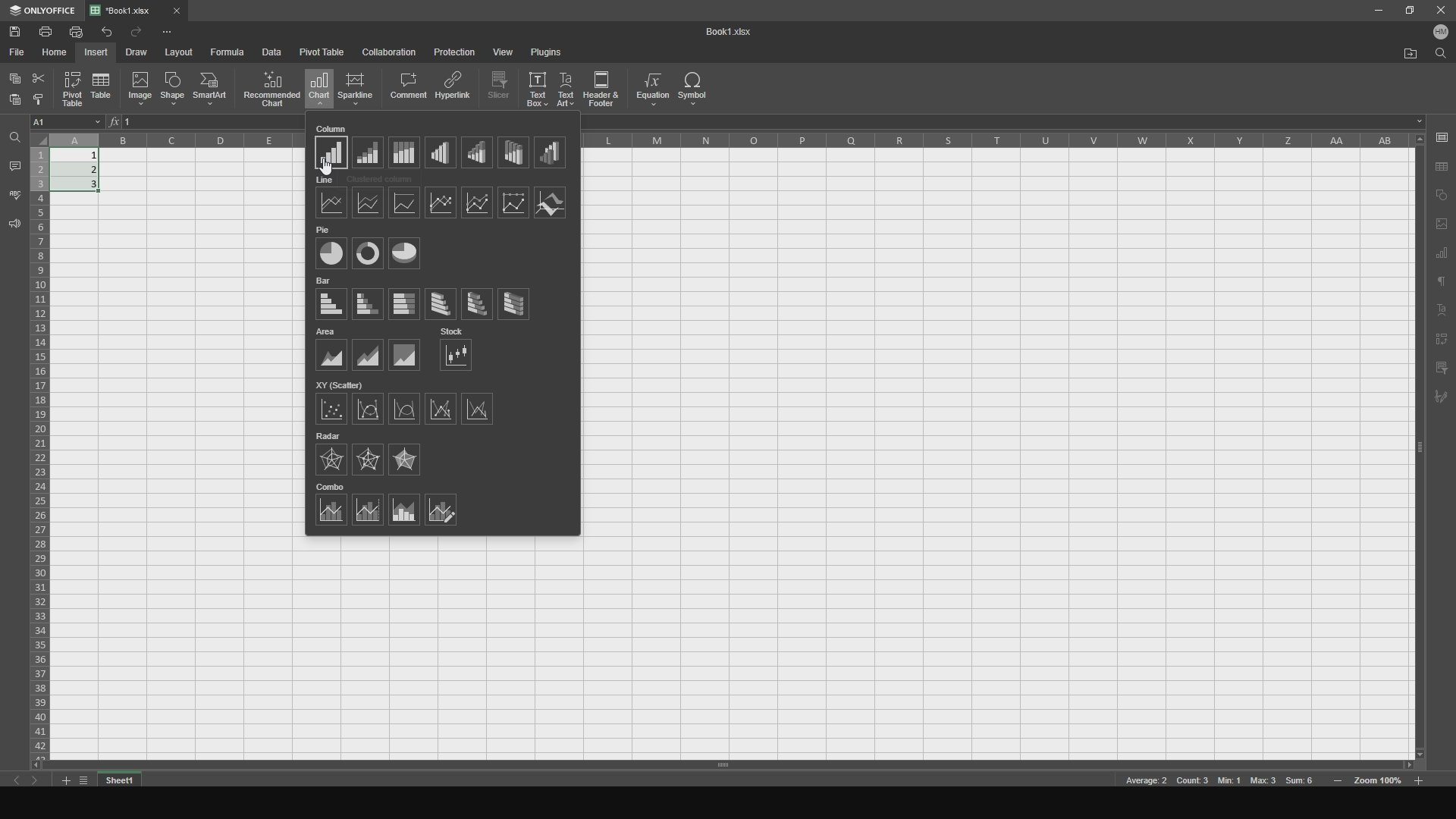 The image size is (1456, 819). I want to click on redo, so click(139, 32).